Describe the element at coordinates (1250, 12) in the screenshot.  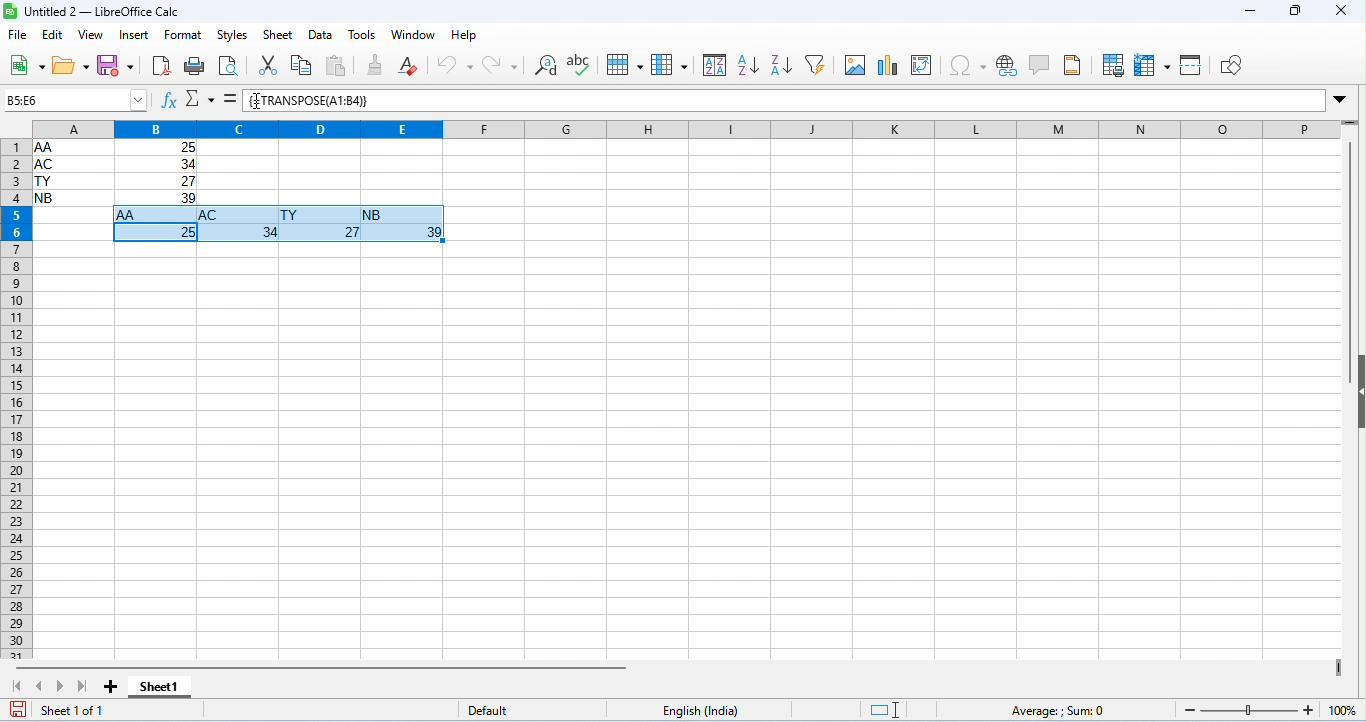
I see `minimize` at that location.